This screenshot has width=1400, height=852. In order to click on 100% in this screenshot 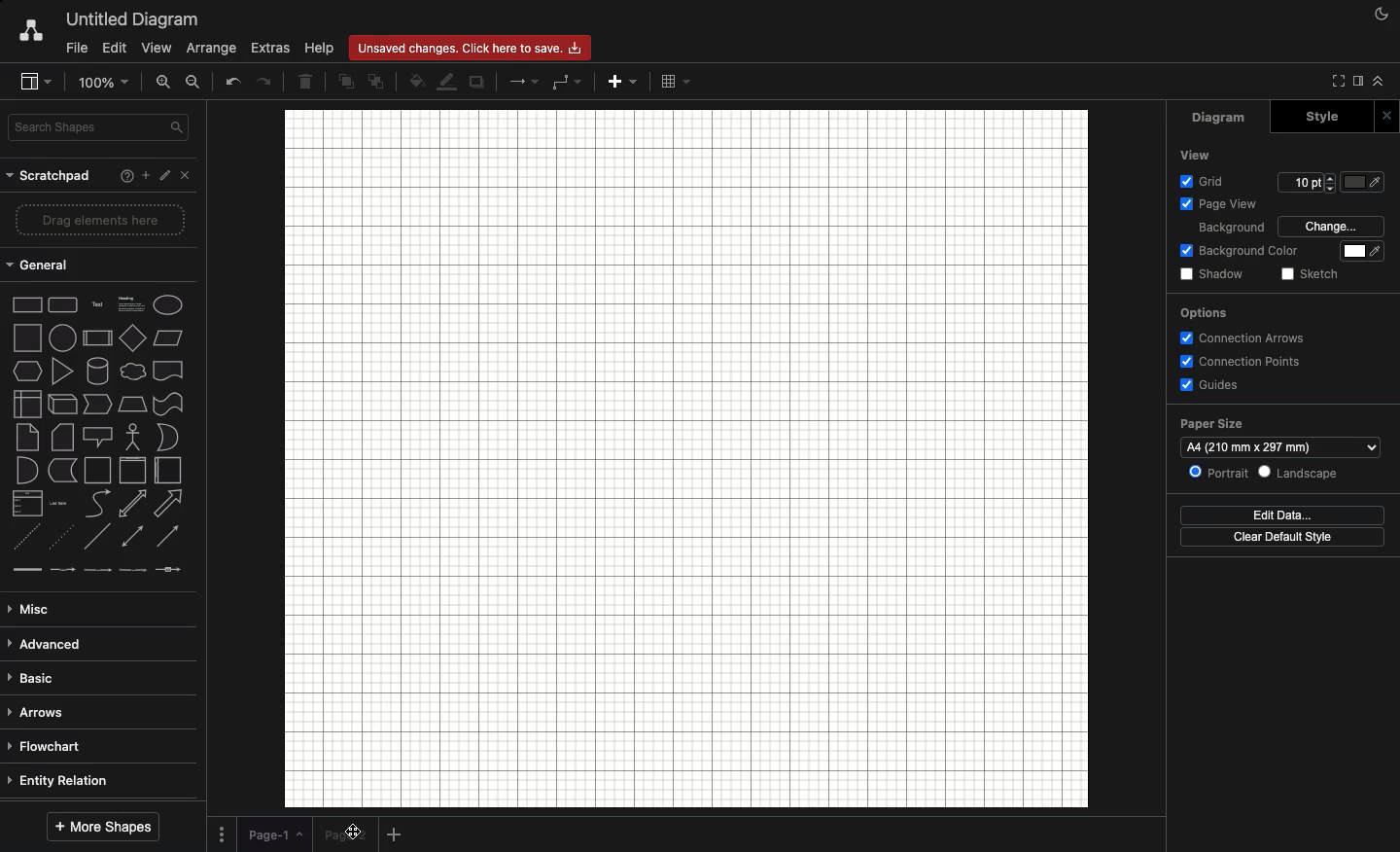, I will do `click(104, 85)`.